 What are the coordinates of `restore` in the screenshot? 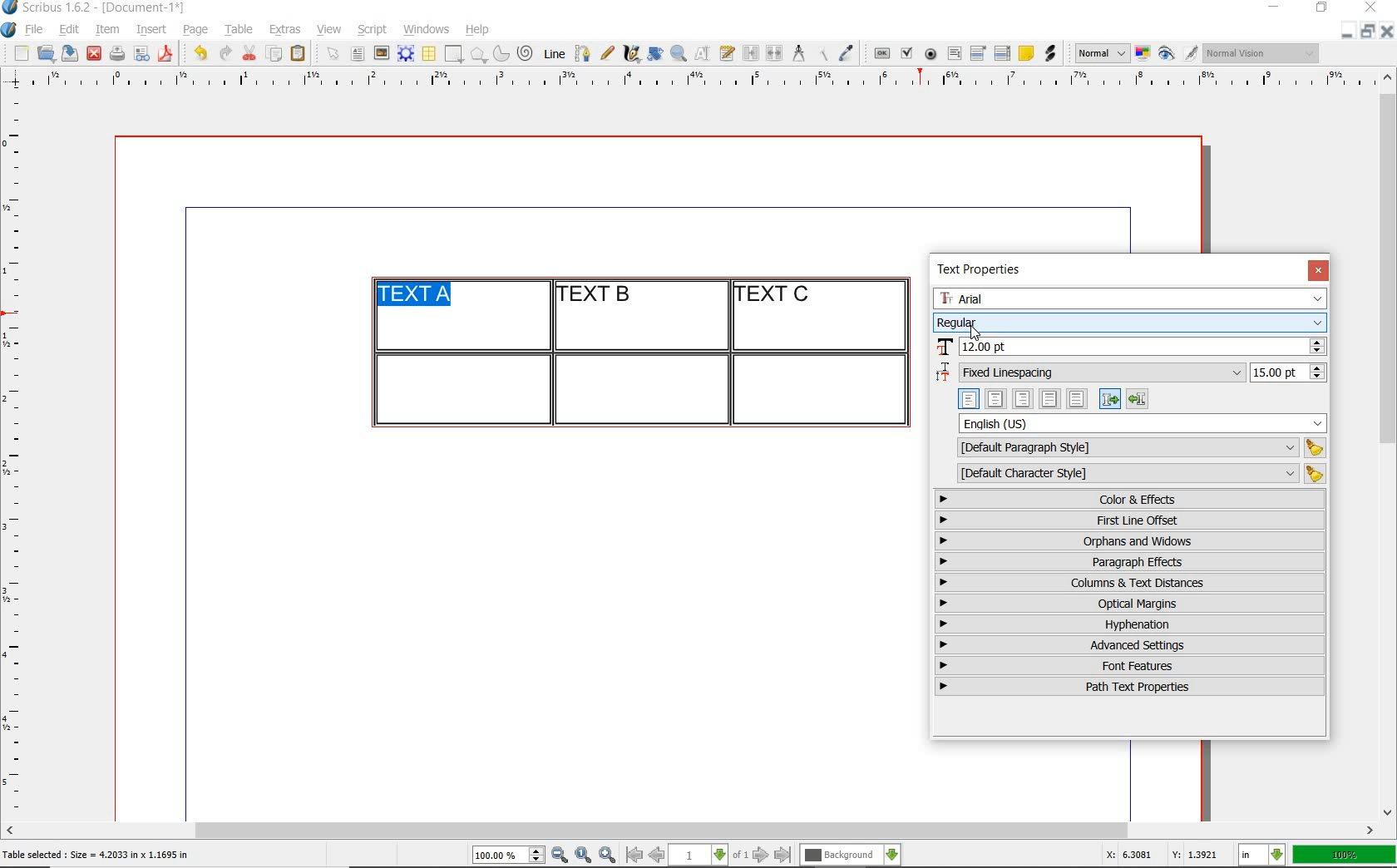 It's located at (1368, 30).